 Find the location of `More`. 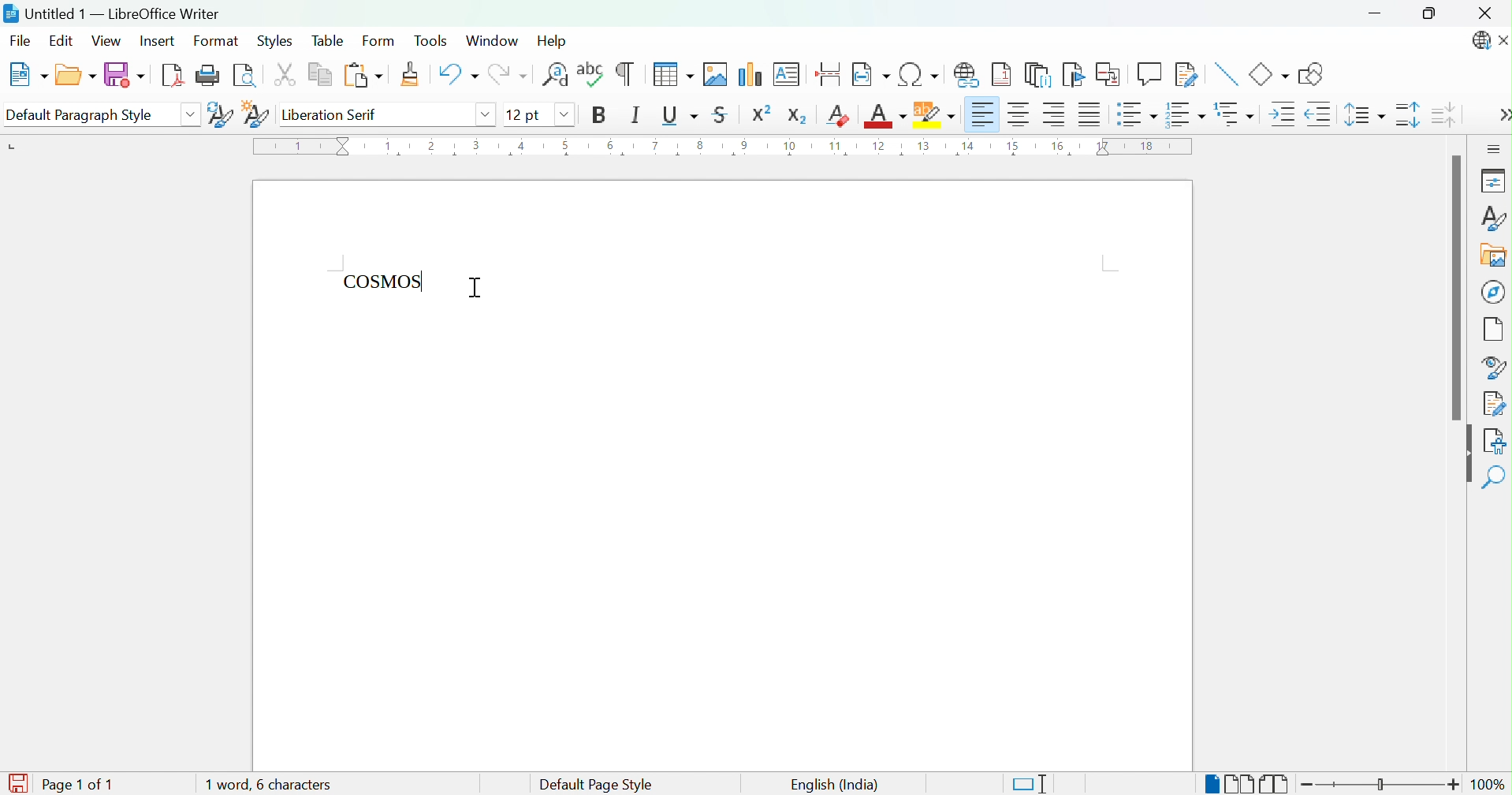

More is located at coordinates (1503, 117).